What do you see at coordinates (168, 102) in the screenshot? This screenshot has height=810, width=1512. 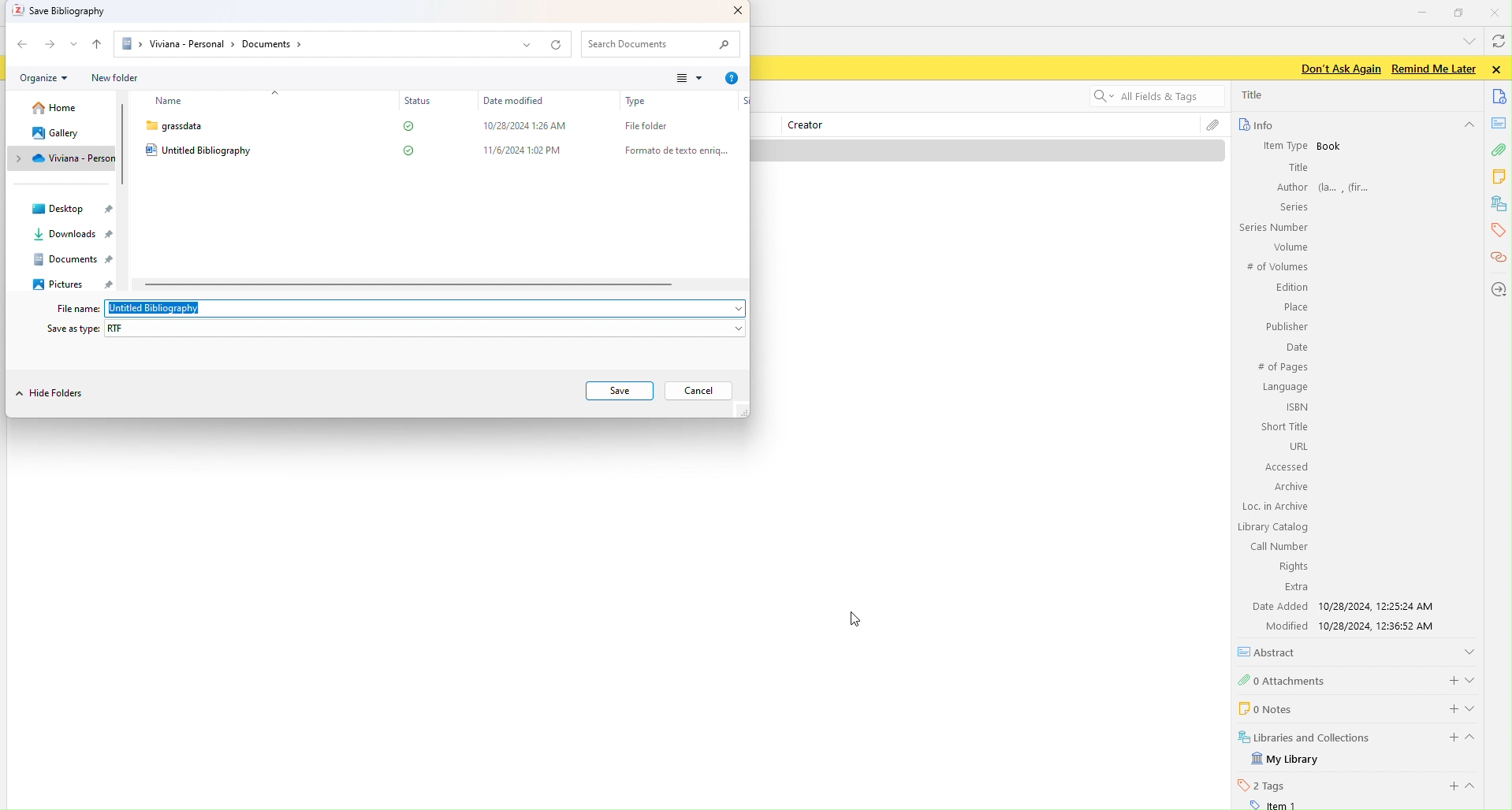 I see `Name` at bounding box center [168, 102].